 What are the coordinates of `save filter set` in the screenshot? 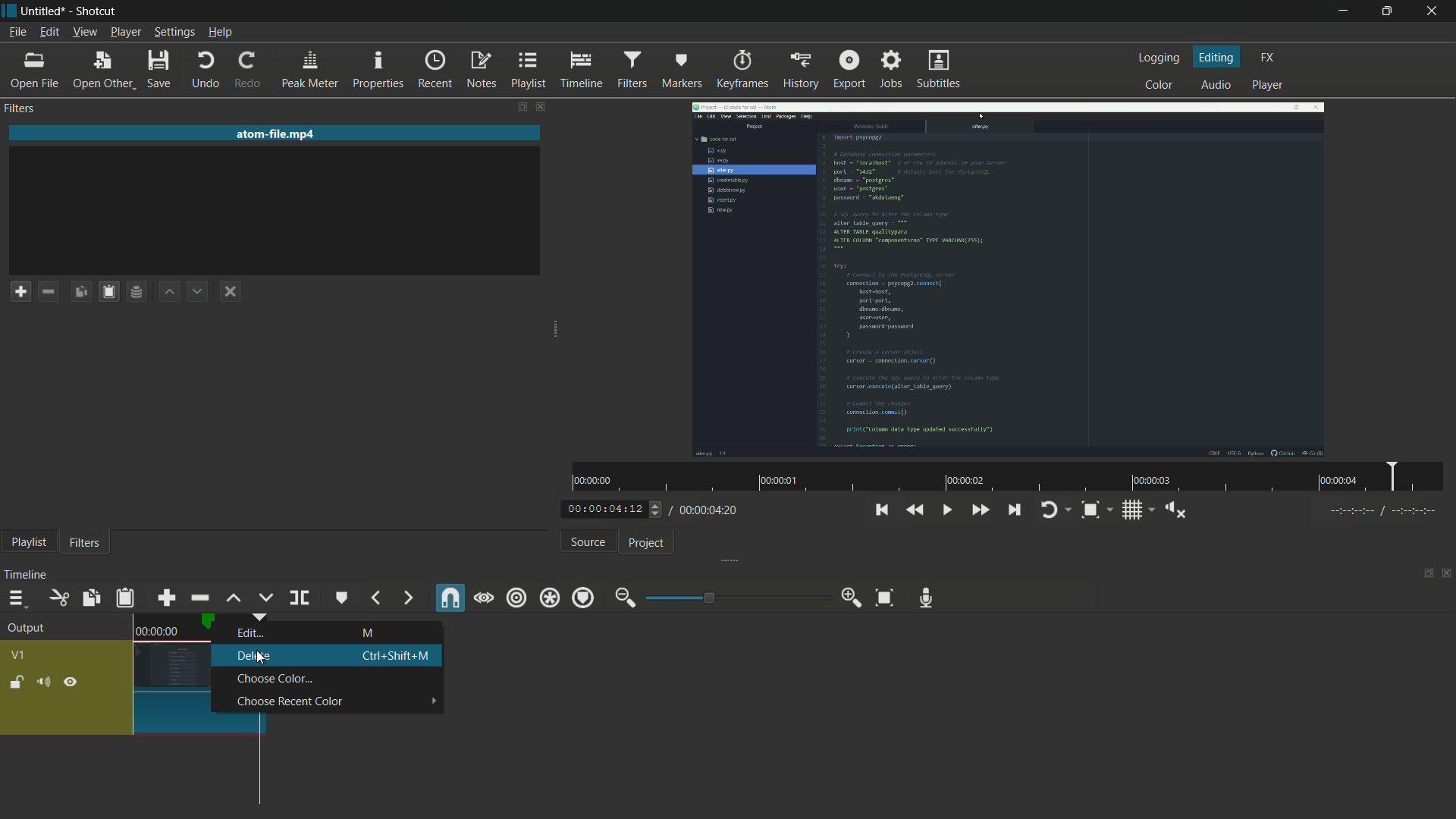 It's located at (135, 291).